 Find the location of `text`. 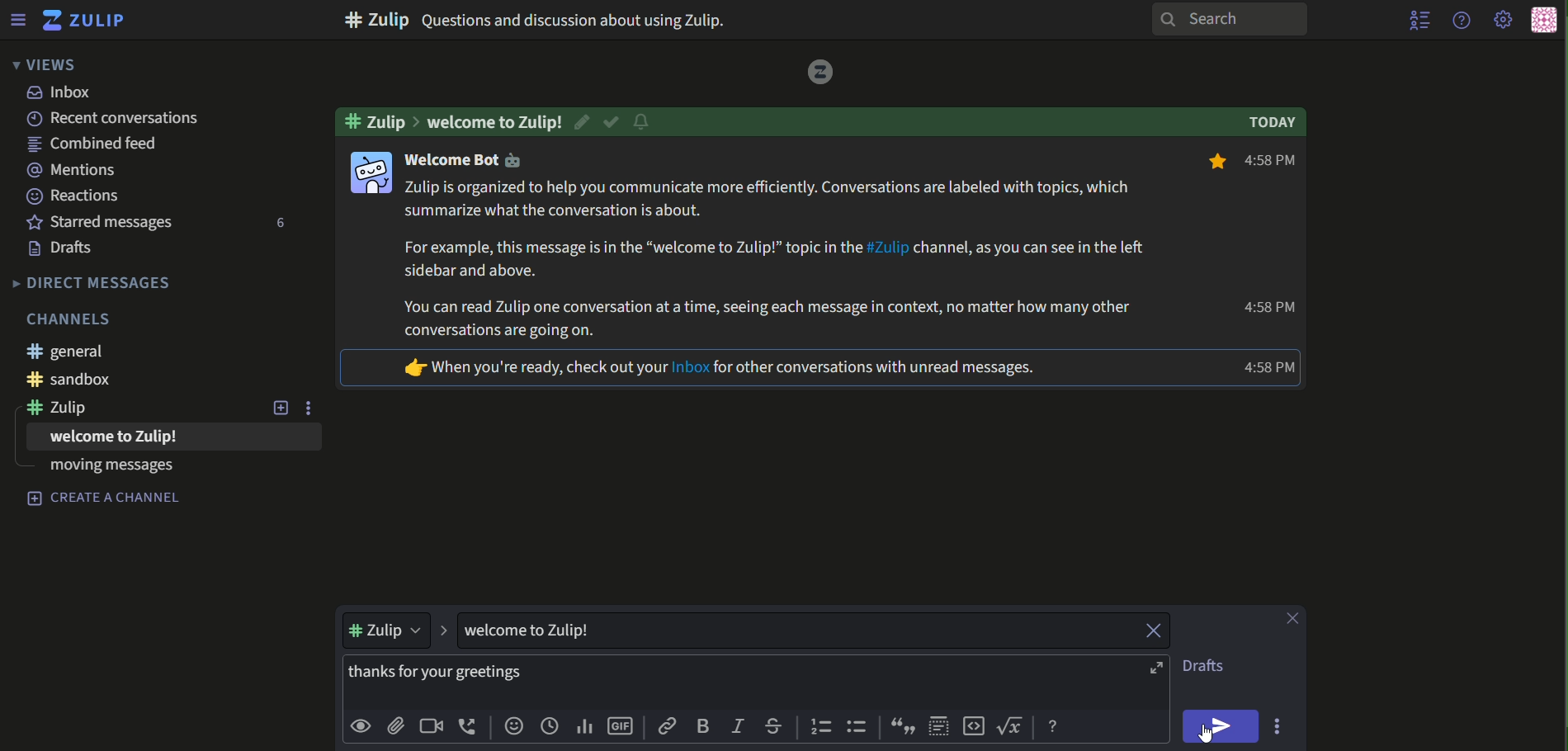

text is located at coordinates (68, 410).